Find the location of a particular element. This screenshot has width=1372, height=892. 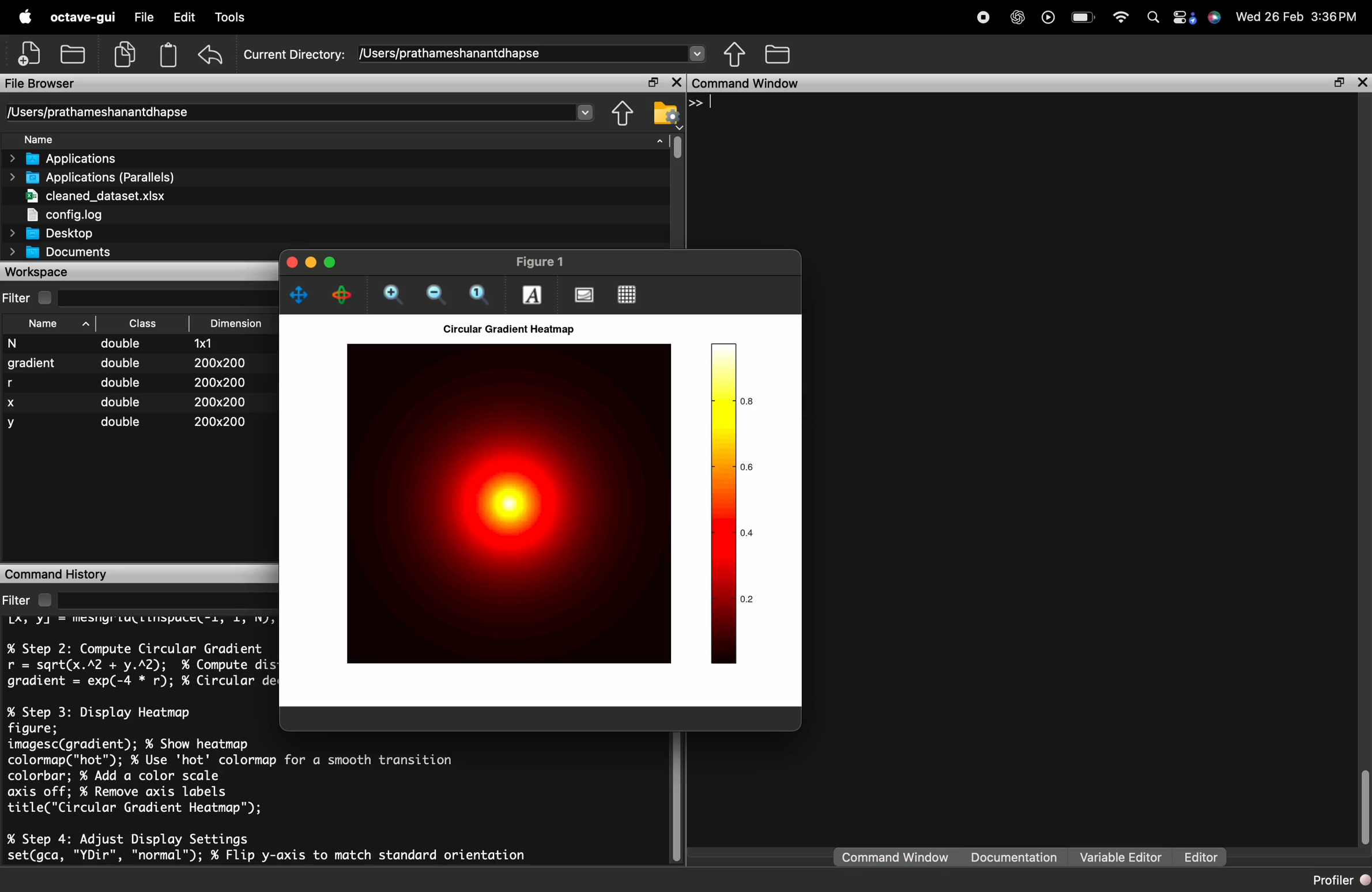

Editor is located at coordinates (1203, 856).